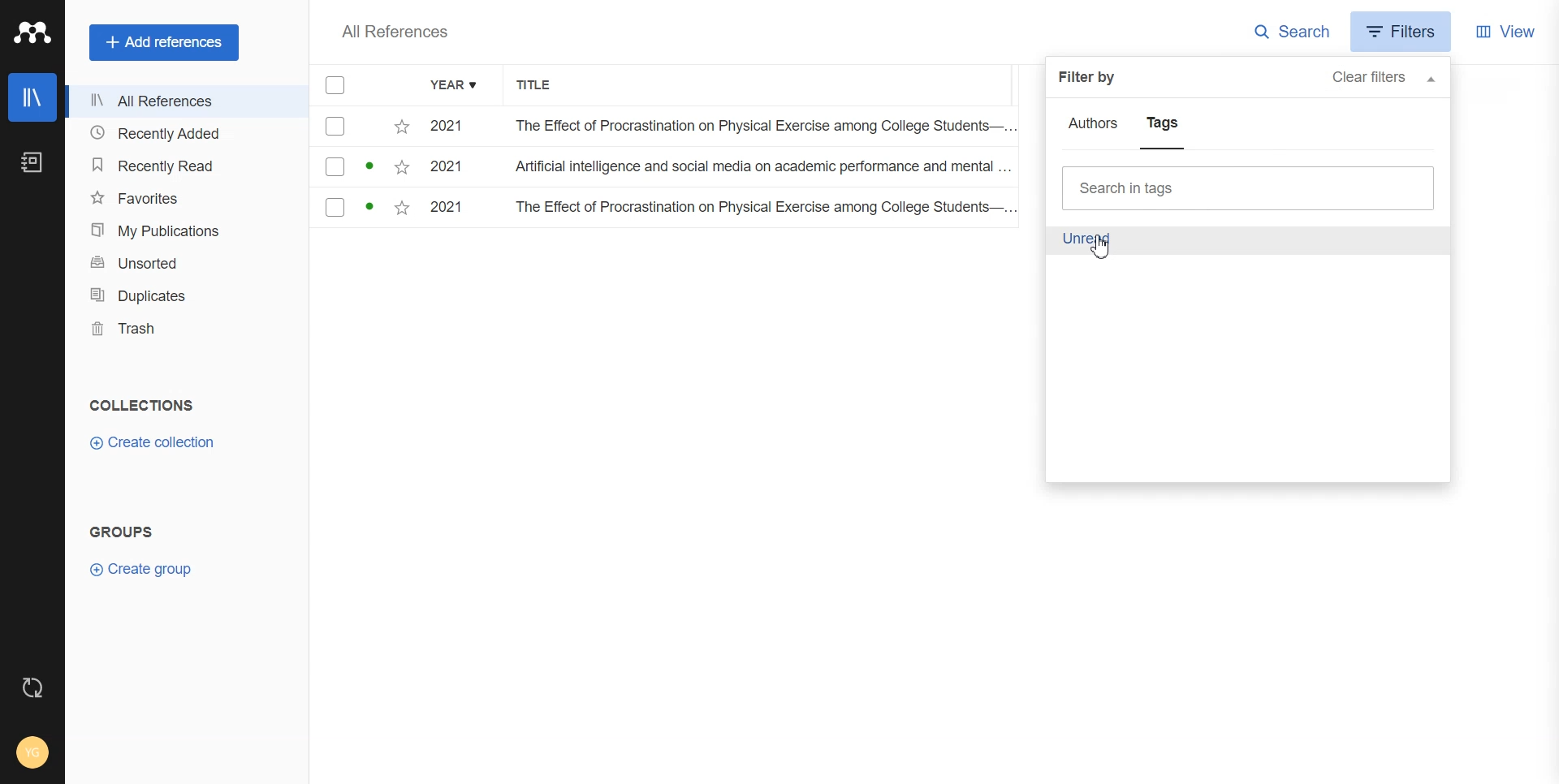 The image size is (1559, 784). Describe the element at coordinates (186, 295) in the screenshot. I see `Duplicates` at that location.